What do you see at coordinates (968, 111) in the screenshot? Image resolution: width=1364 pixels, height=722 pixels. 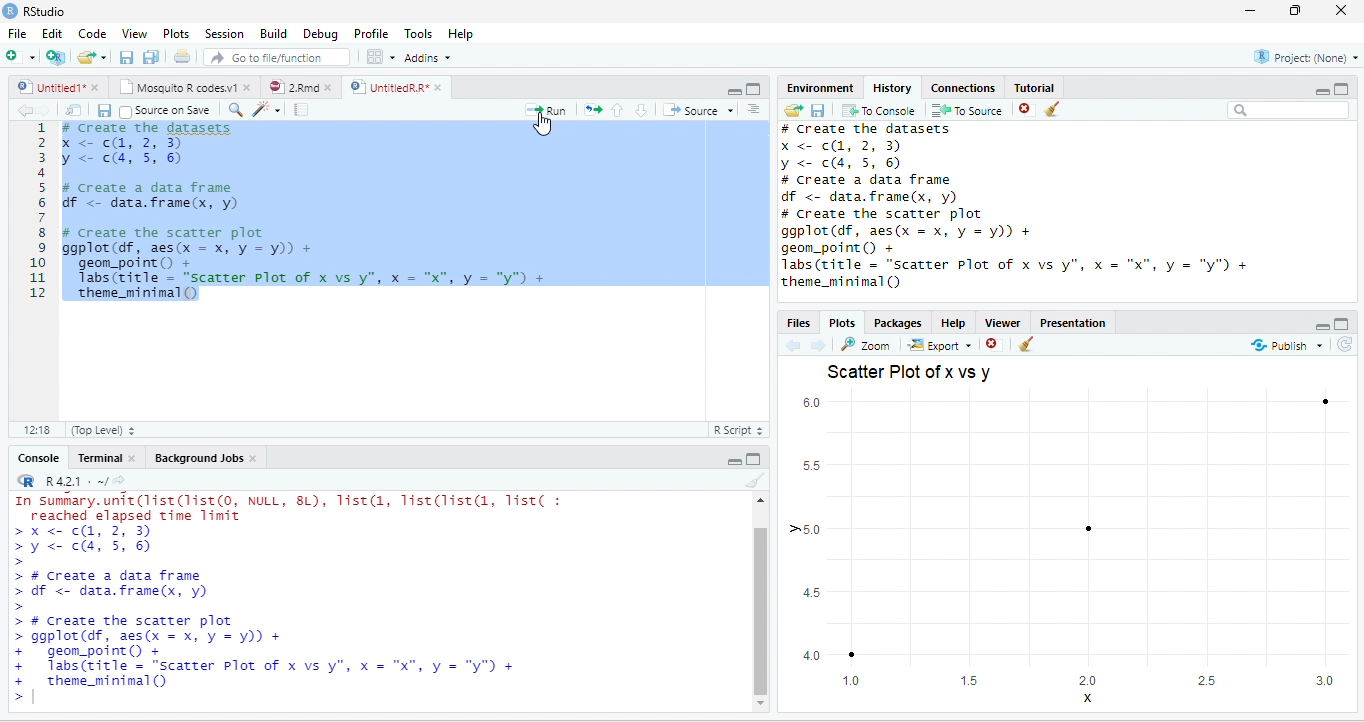 I see `To Source` at bounding box center [968, 111].